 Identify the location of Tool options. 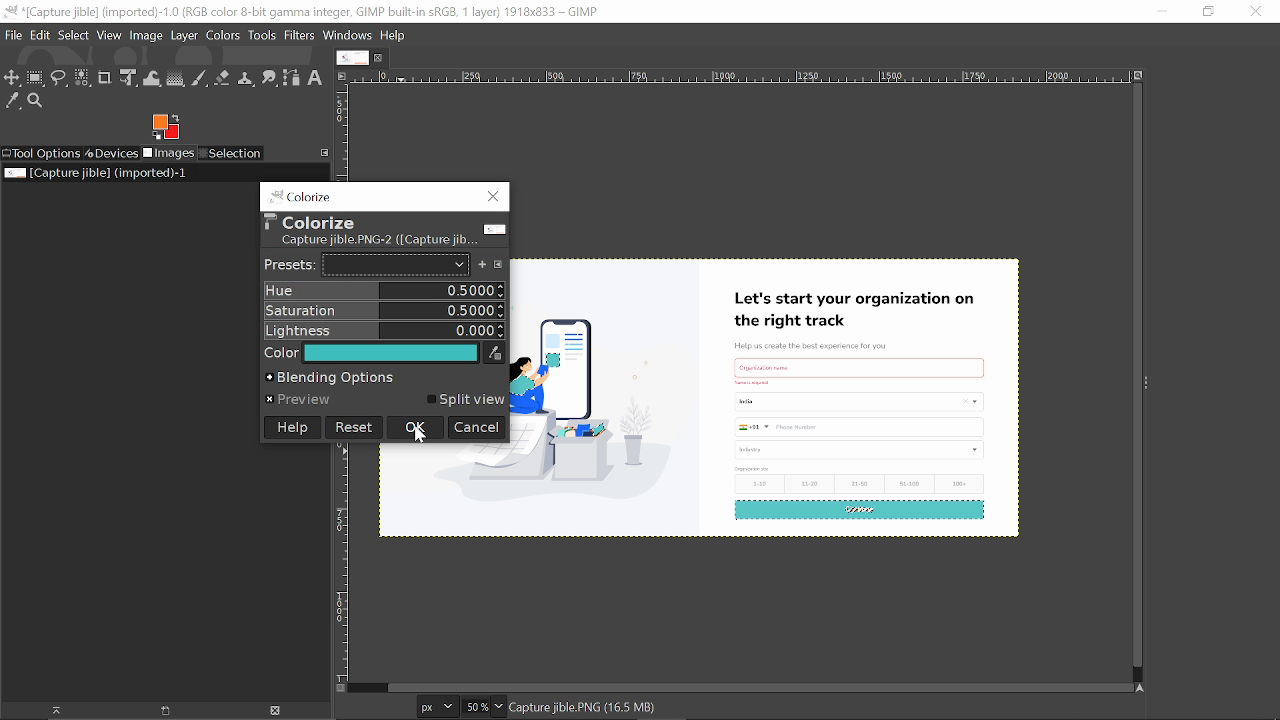
(41, 154).